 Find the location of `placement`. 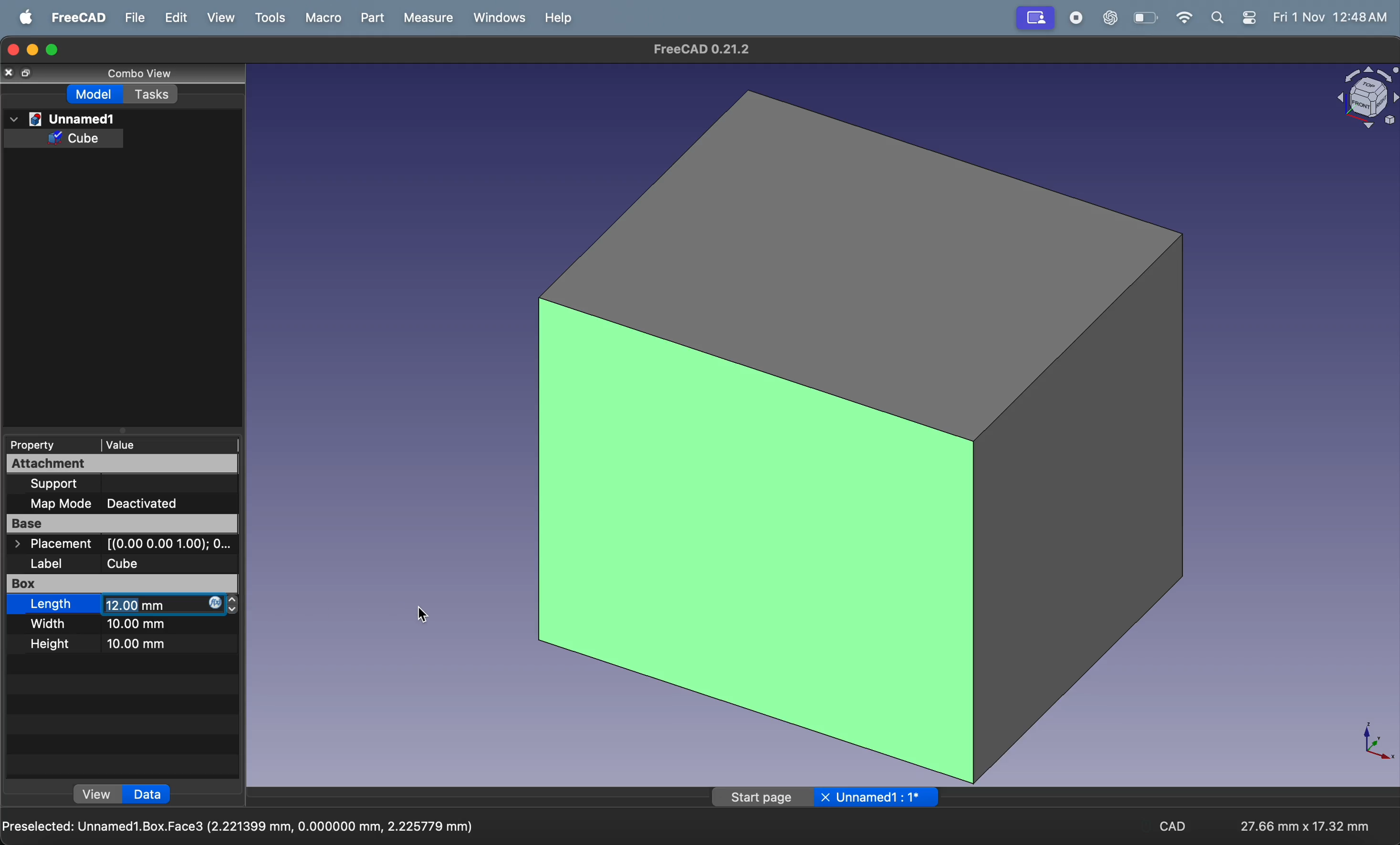

placement is located at coordinates (124, 544).